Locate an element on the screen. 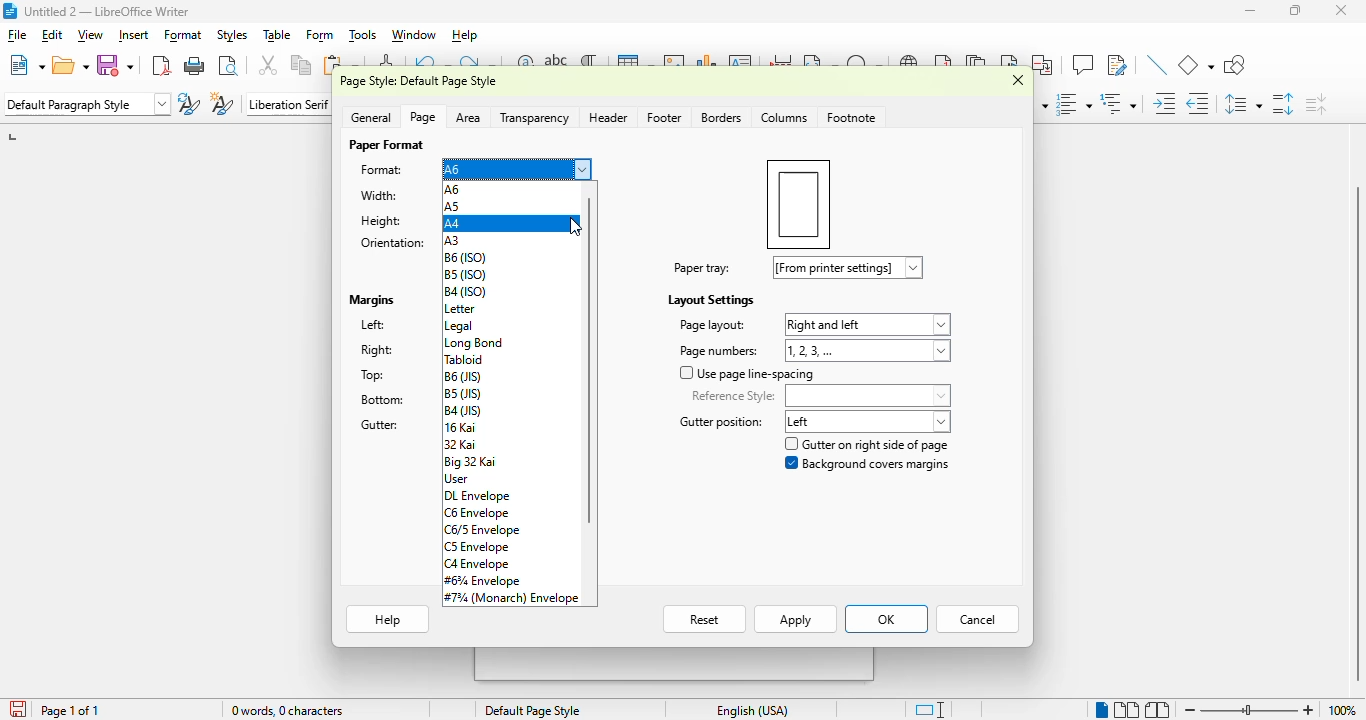 This screenshot has height=720, width=1366. new style from selection is located at coordinates (223, 103).